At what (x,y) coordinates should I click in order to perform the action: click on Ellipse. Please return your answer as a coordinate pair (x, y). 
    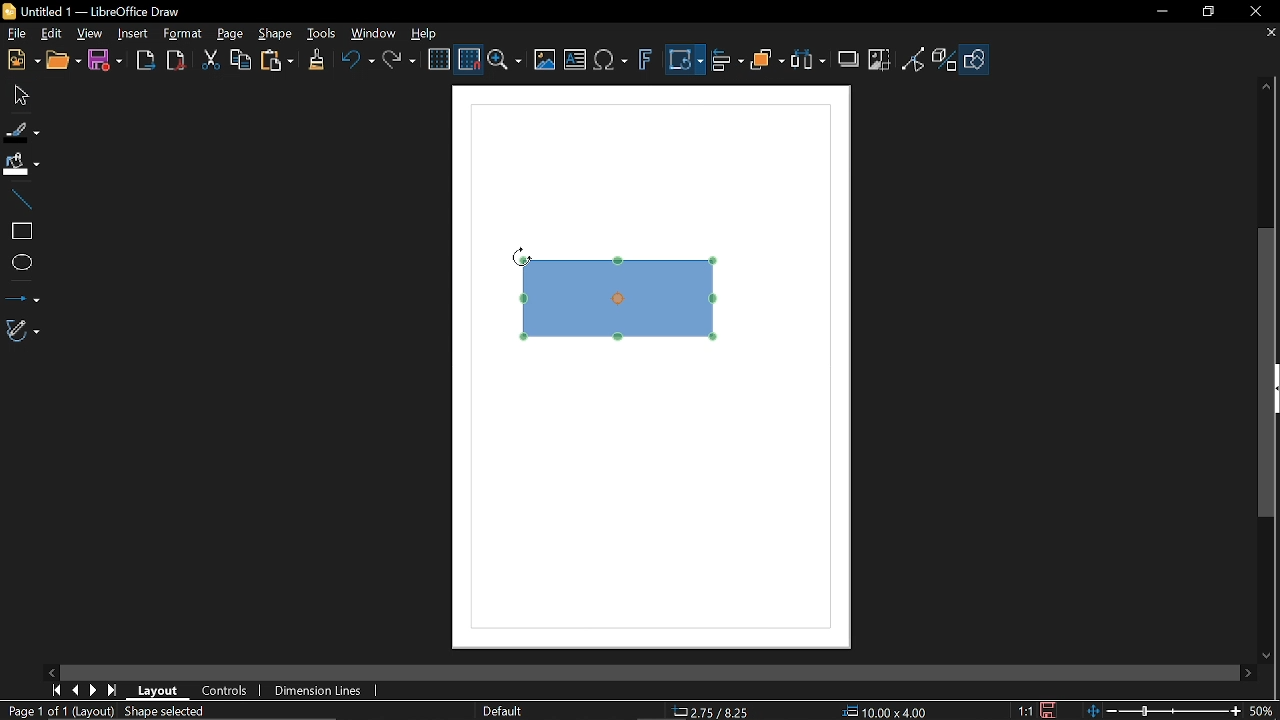
    Looking at the image, I should click on (21, 264).